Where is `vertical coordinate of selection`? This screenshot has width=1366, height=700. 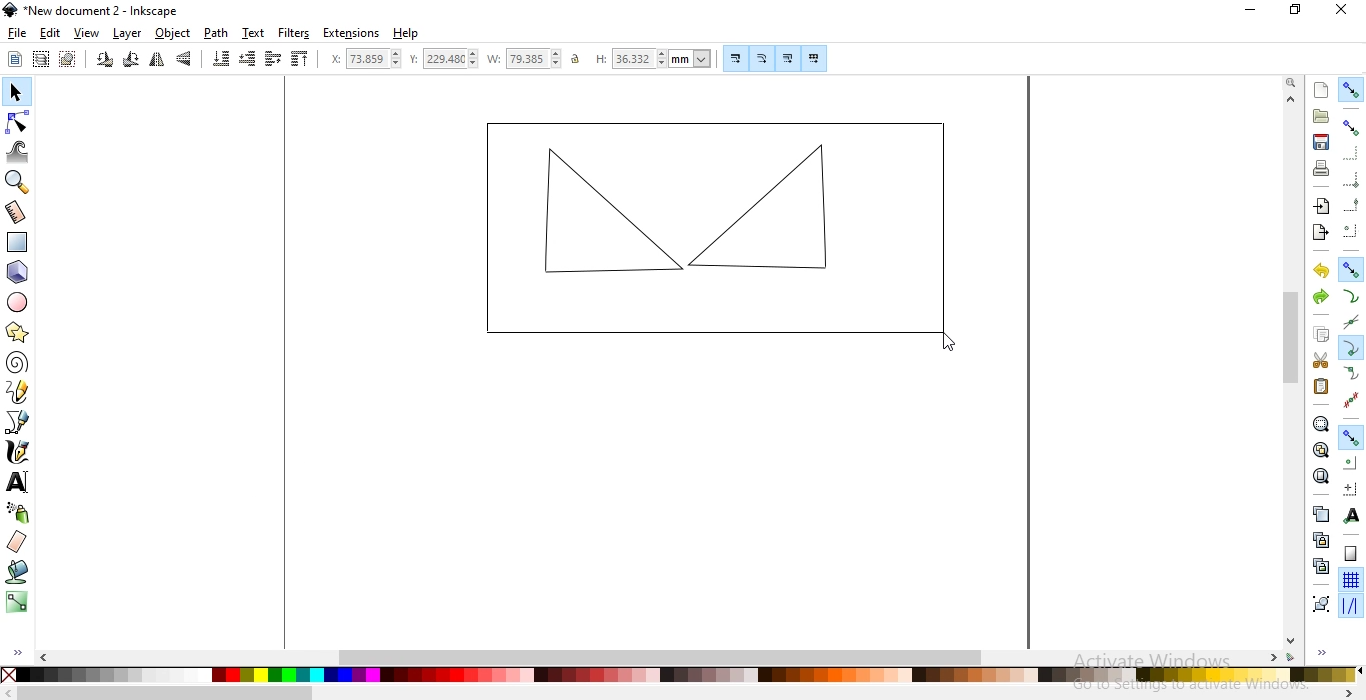 vertical coordinate of selection is located at coordinates (442, 59).